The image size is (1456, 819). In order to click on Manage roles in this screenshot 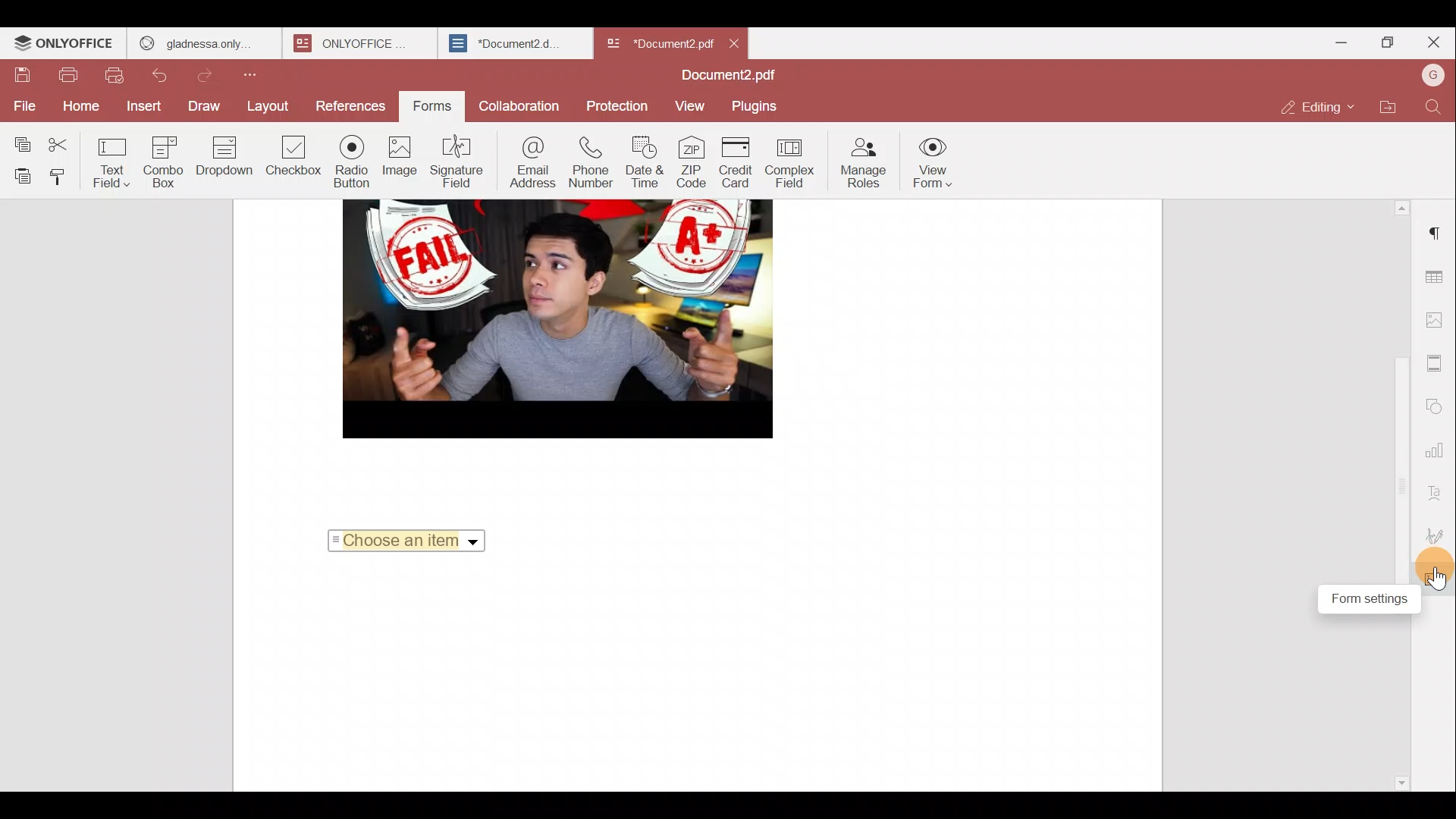, I will do `click(865, 162)`.